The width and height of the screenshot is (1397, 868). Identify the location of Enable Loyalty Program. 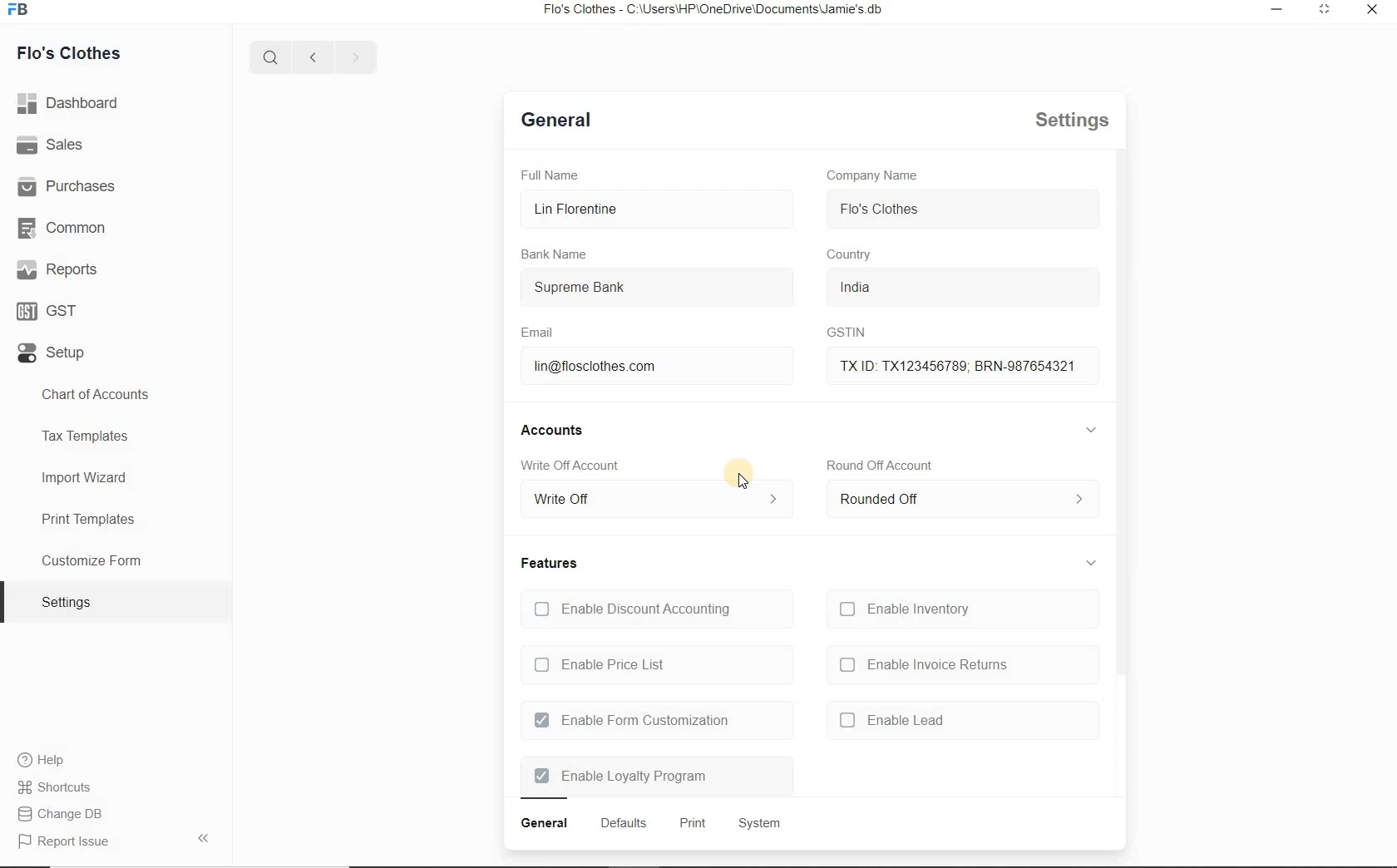
(654, 778).